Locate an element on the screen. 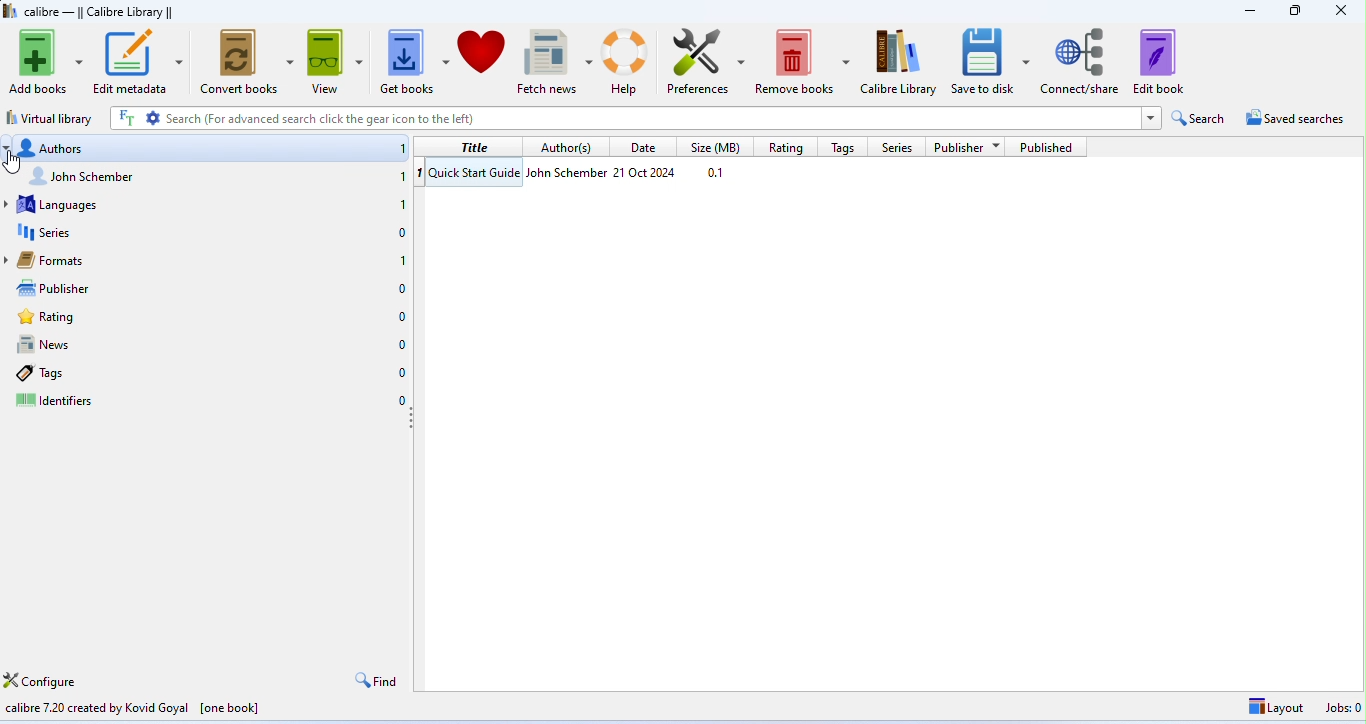 The height and width of the screenshot is (724, 1366). convert books is located at coordinates (247, 62).